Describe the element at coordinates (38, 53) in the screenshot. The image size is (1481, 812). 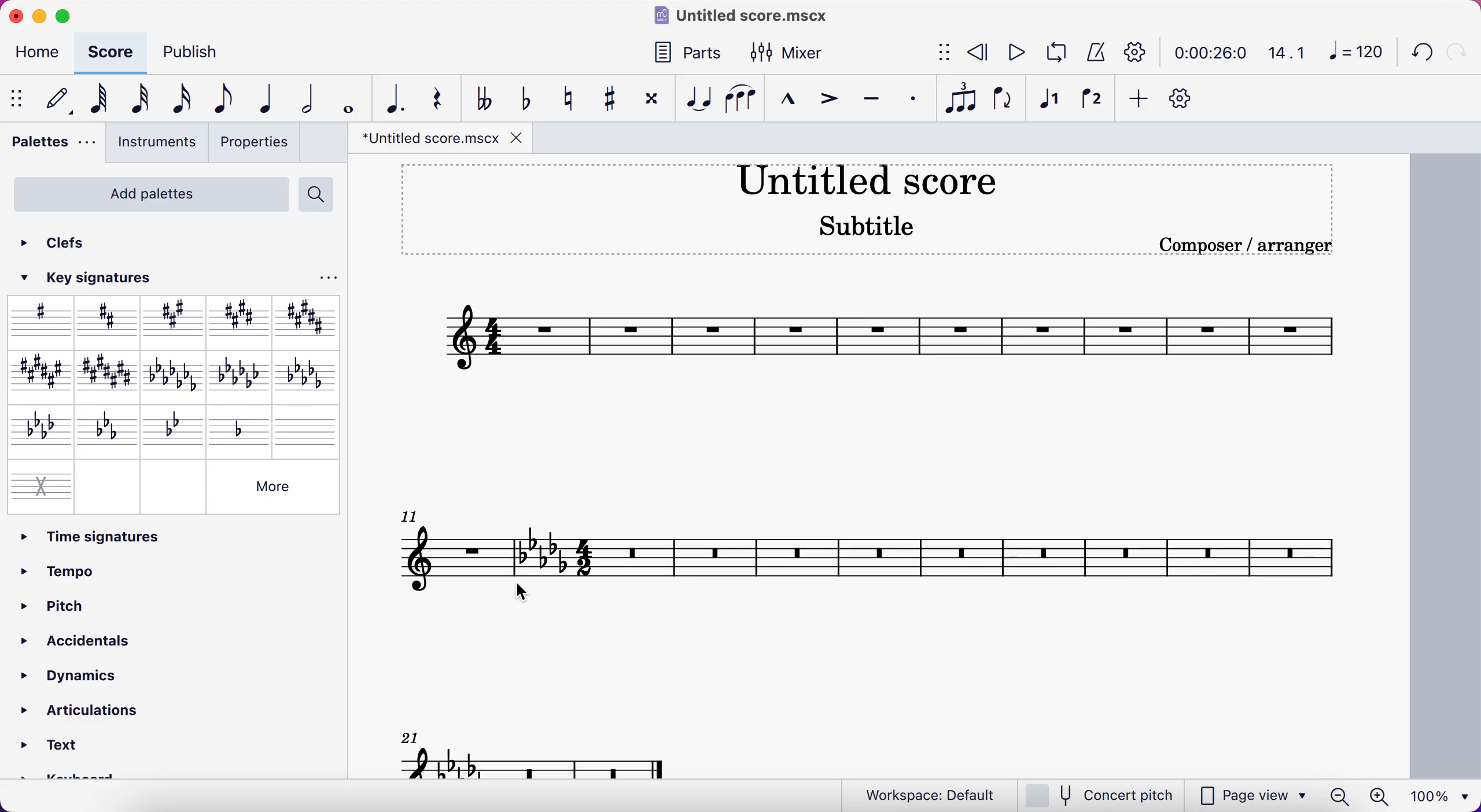
I see `home` at that location.